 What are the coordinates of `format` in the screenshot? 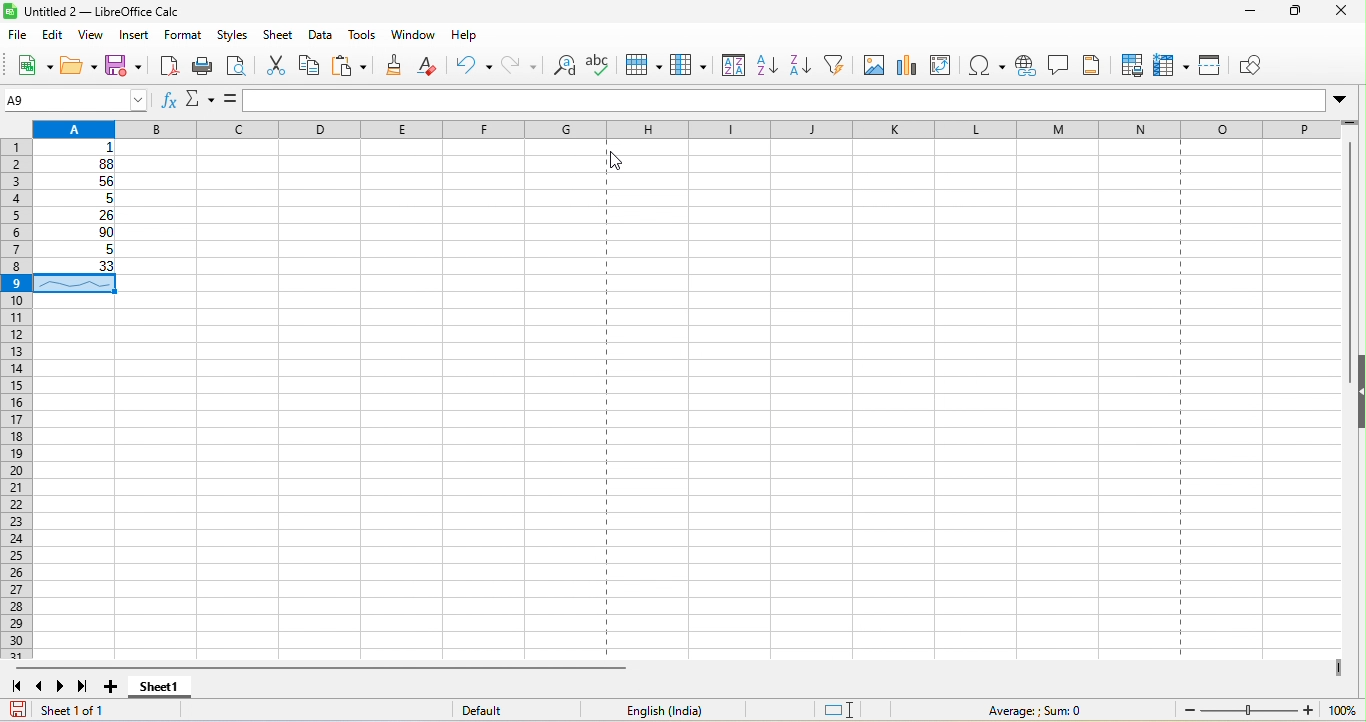 It's located at (181, 36).